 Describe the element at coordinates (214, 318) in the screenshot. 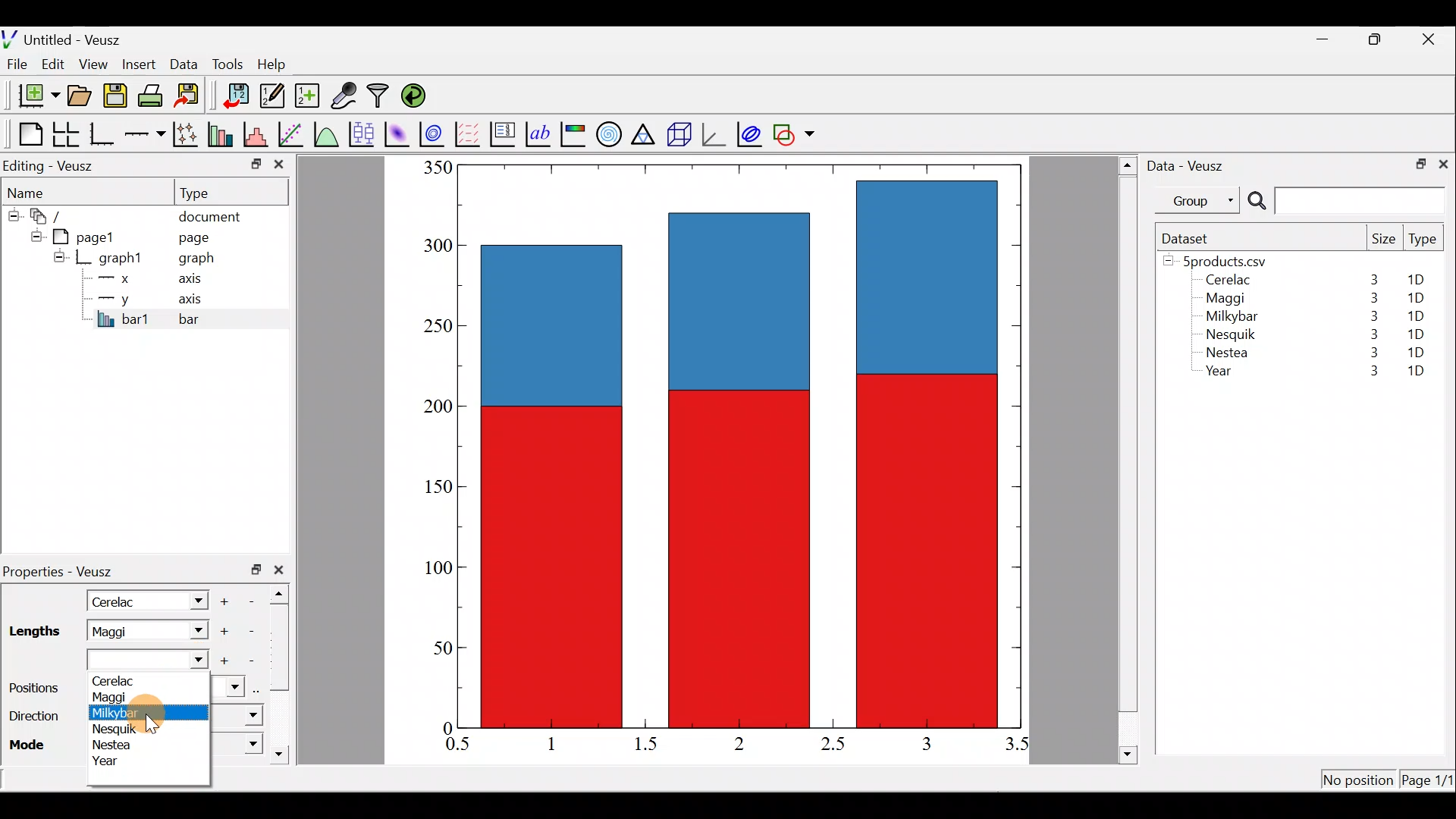

I see `bar` at that location.